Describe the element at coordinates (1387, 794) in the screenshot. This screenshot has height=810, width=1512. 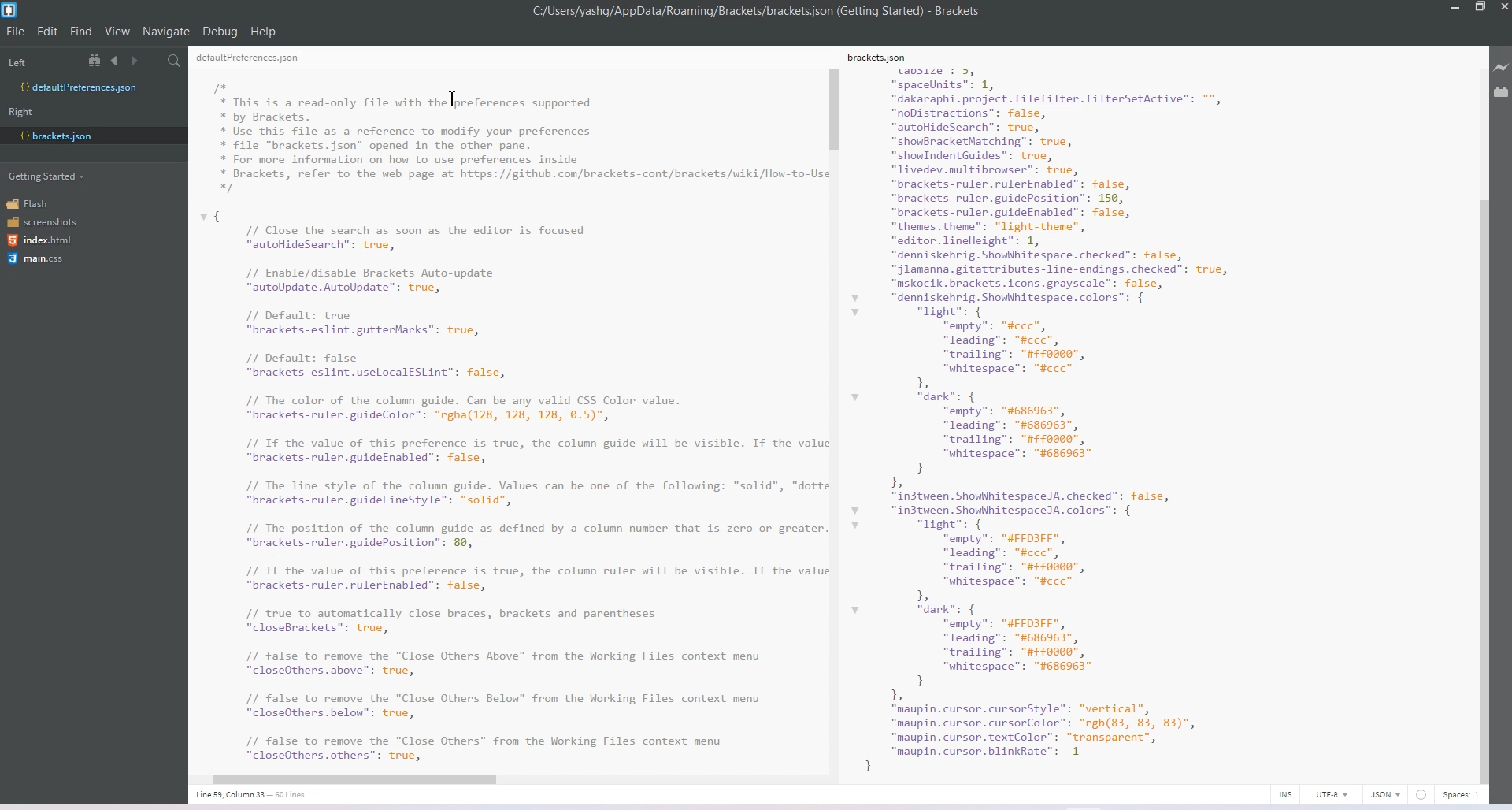
I see `JSON` at that location.